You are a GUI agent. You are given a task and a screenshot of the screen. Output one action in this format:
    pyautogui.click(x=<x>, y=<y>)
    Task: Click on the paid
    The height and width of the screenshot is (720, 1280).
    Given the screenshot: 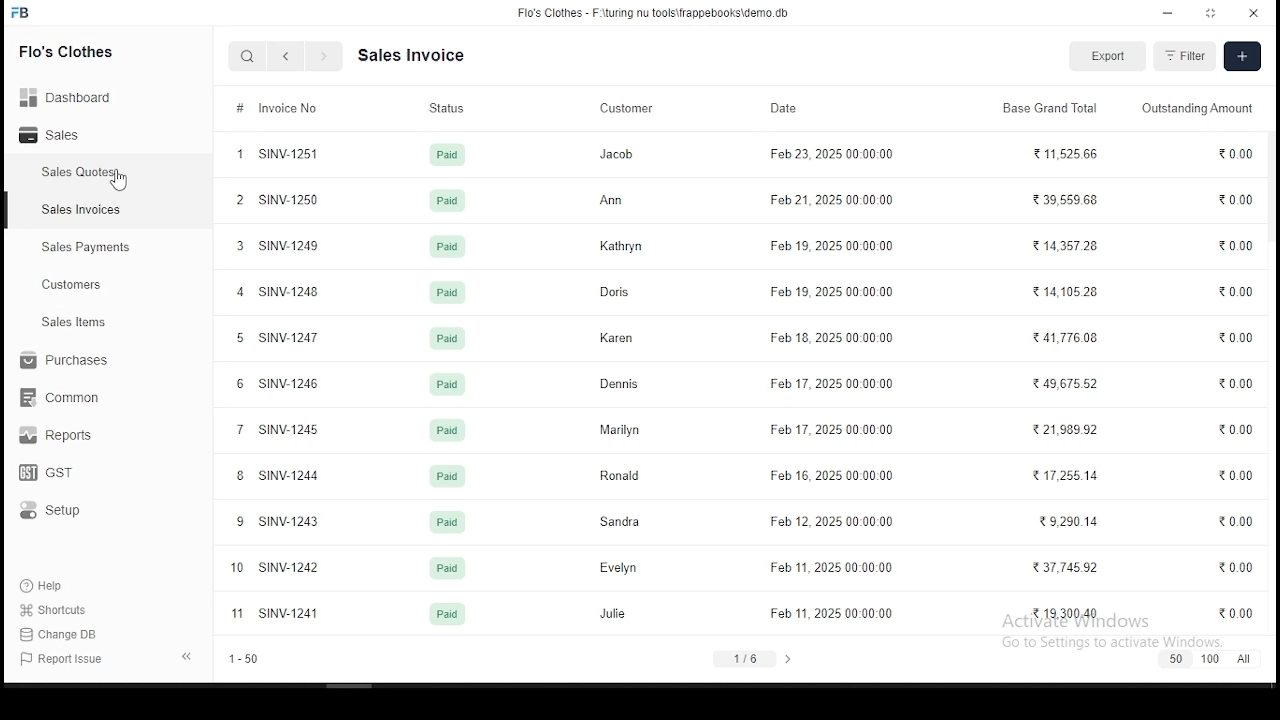 What is the action you would take?
    pyautogui.click(x=443, y=475)
    